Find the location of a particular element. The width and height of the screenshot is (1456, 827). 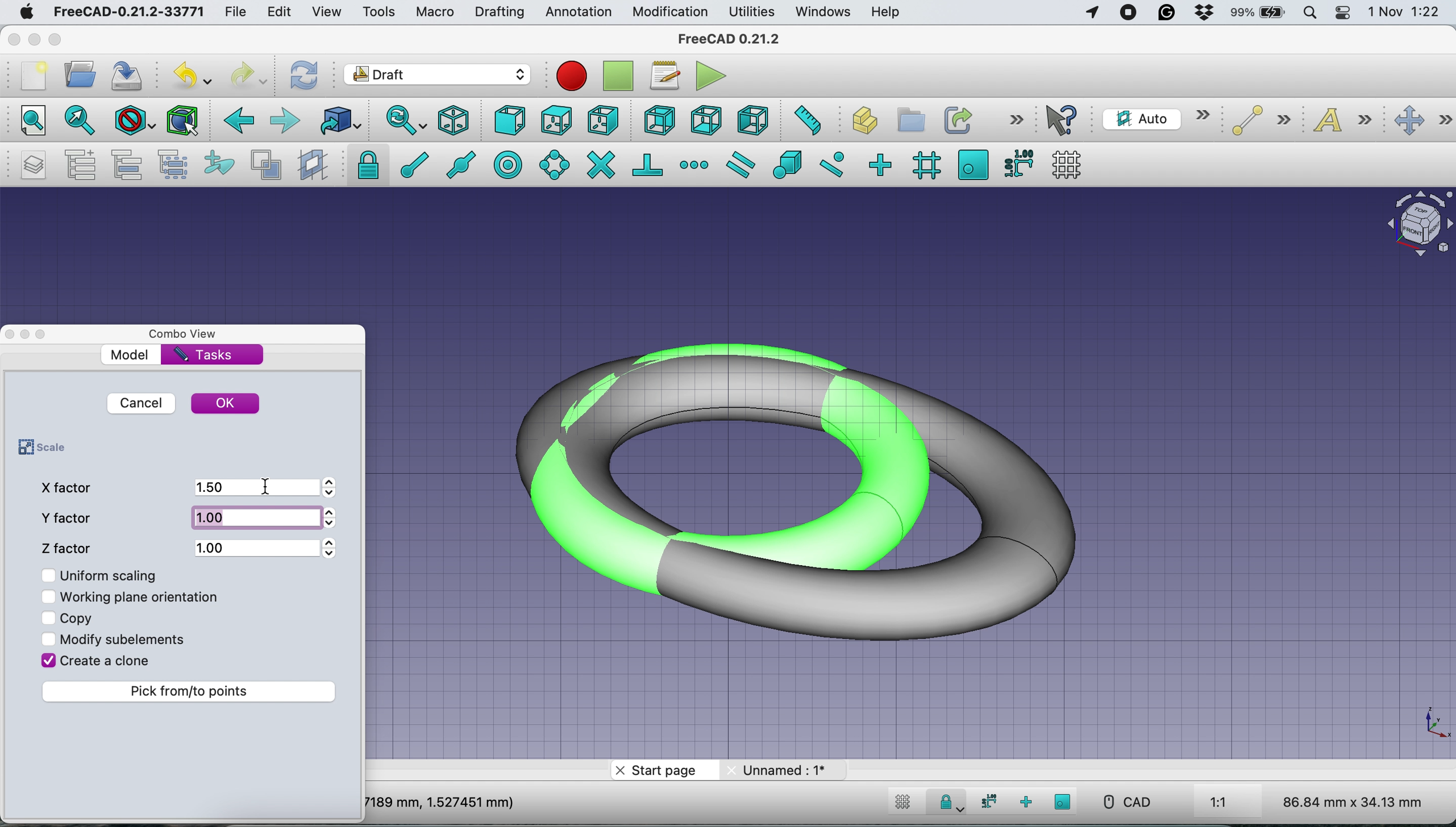

edit is located at coordinates (281, 12).